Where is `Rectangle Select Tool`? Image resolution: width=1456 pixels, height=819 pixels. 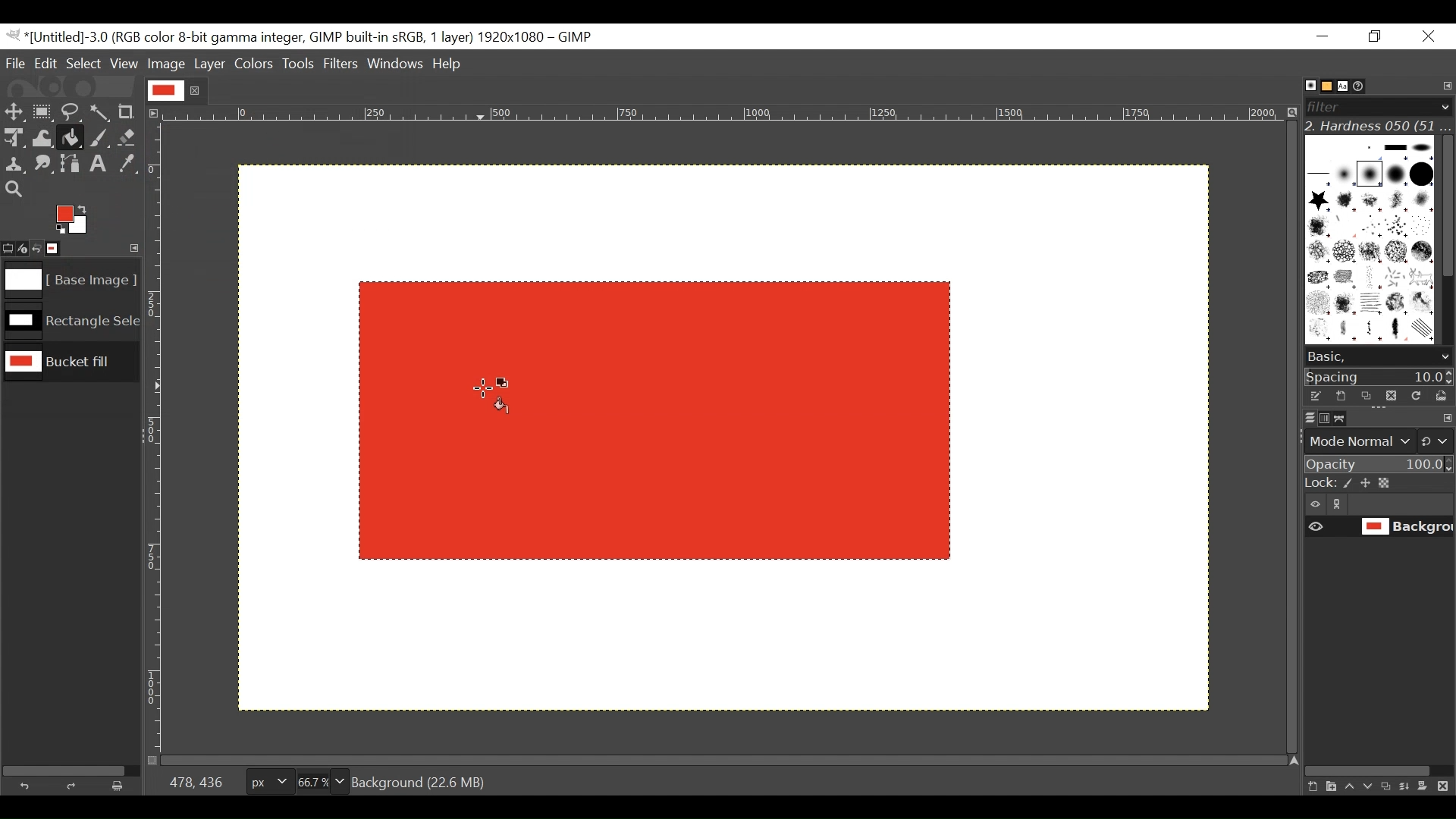 Rectangle Select Tool is located at coordinates (42, 111).